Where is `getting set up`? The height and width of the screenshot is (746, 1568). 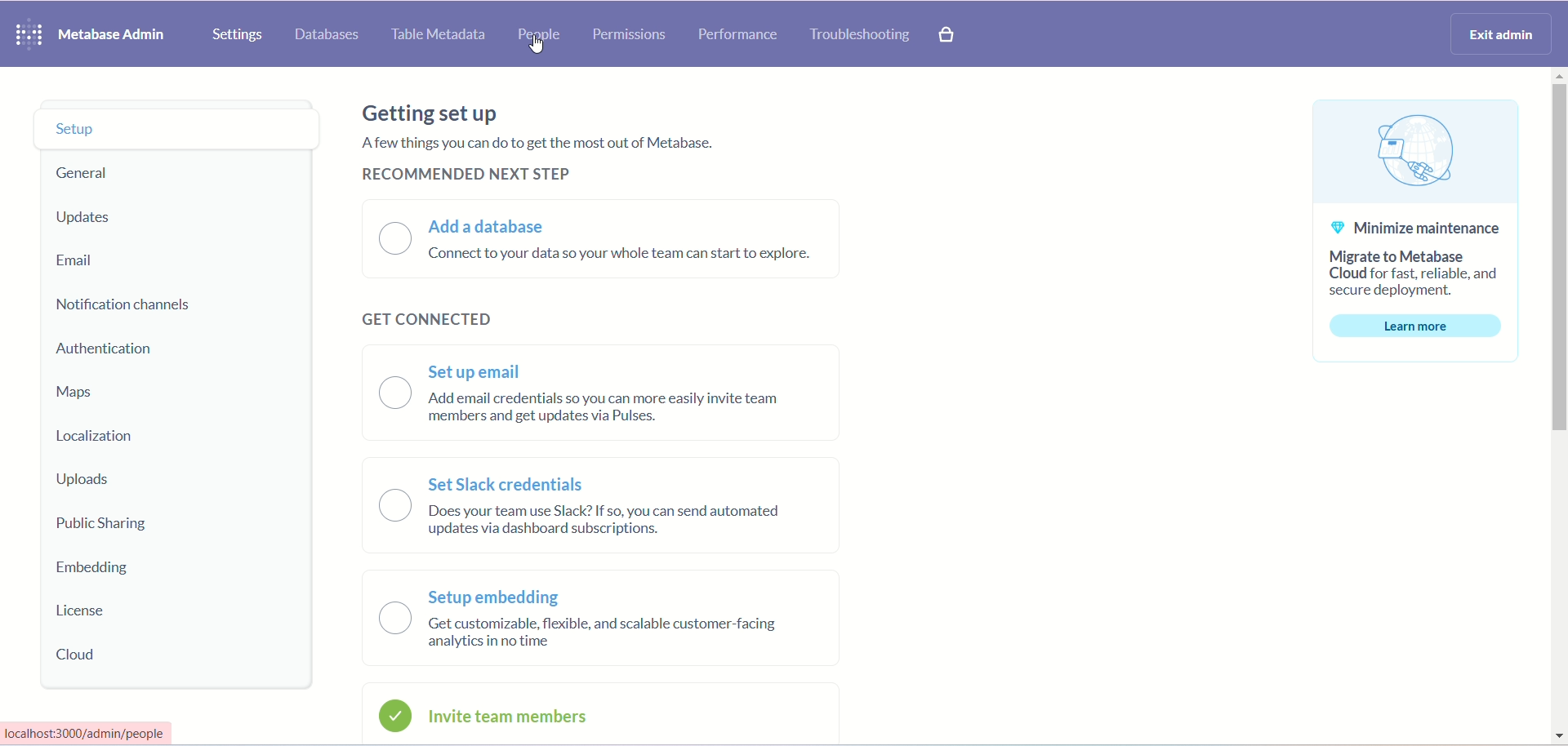
getting set up is located at coordinates (434, 117).